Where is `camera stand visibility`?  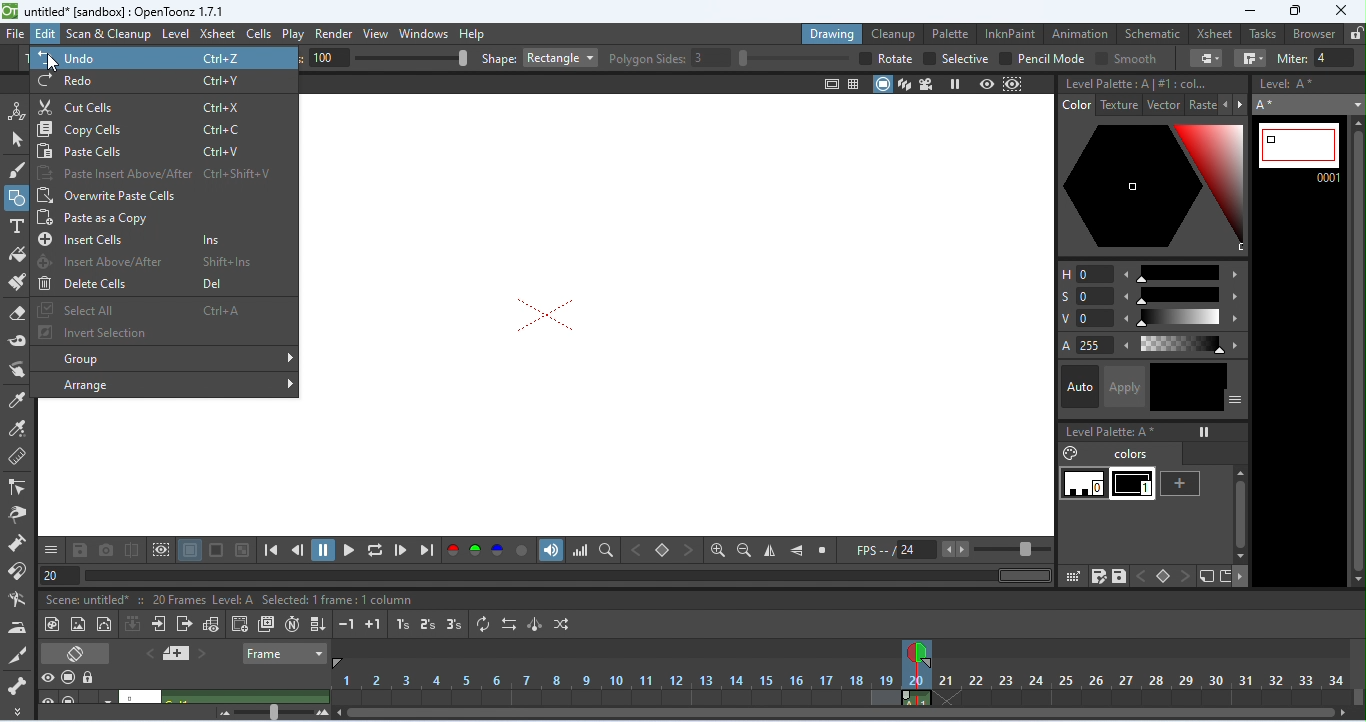
camera stand visibility is located at coordinates (74, 698).